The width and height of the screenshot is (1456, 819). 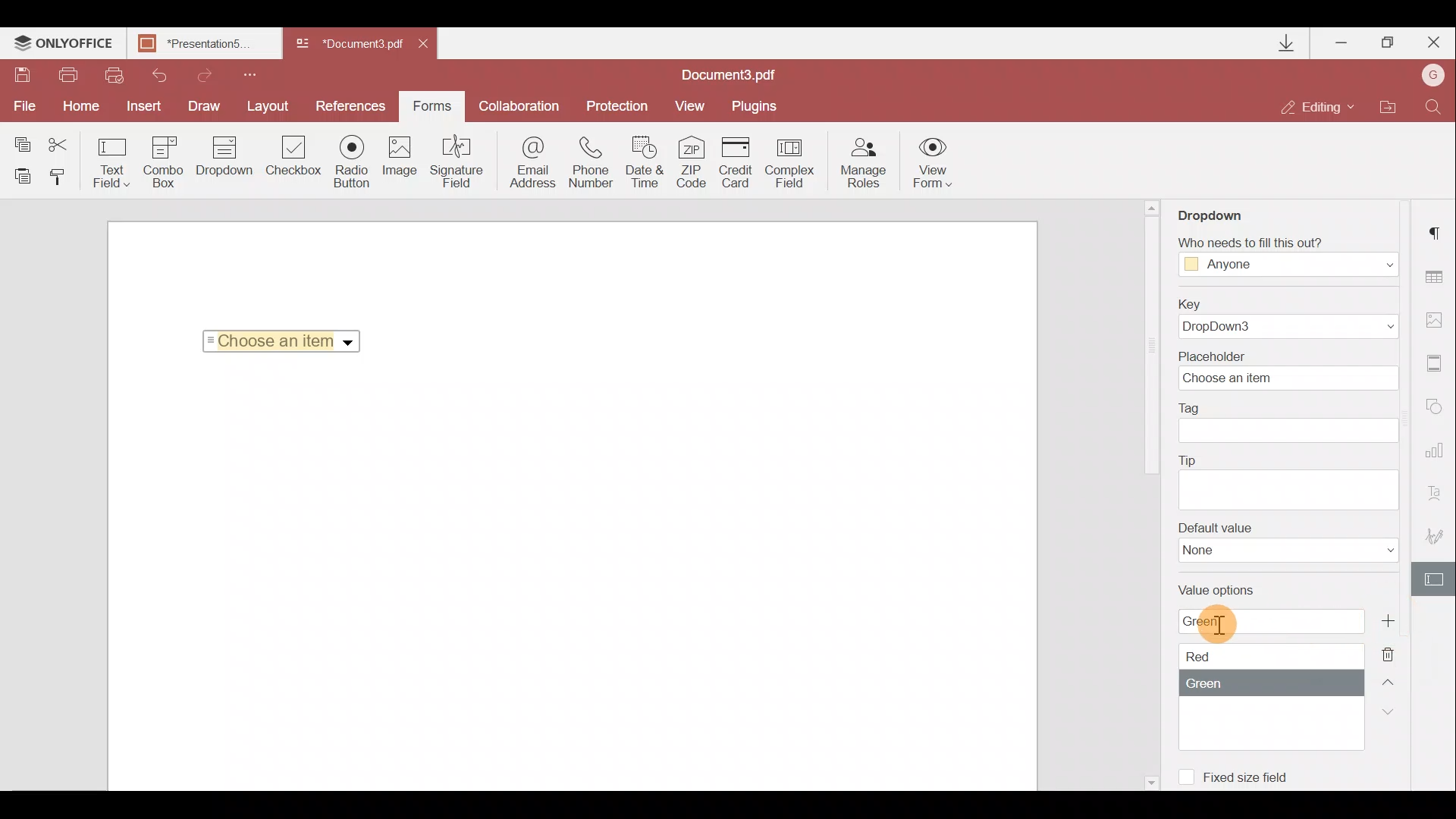 I want to click on Downloads, so click(x=1289, y=43).